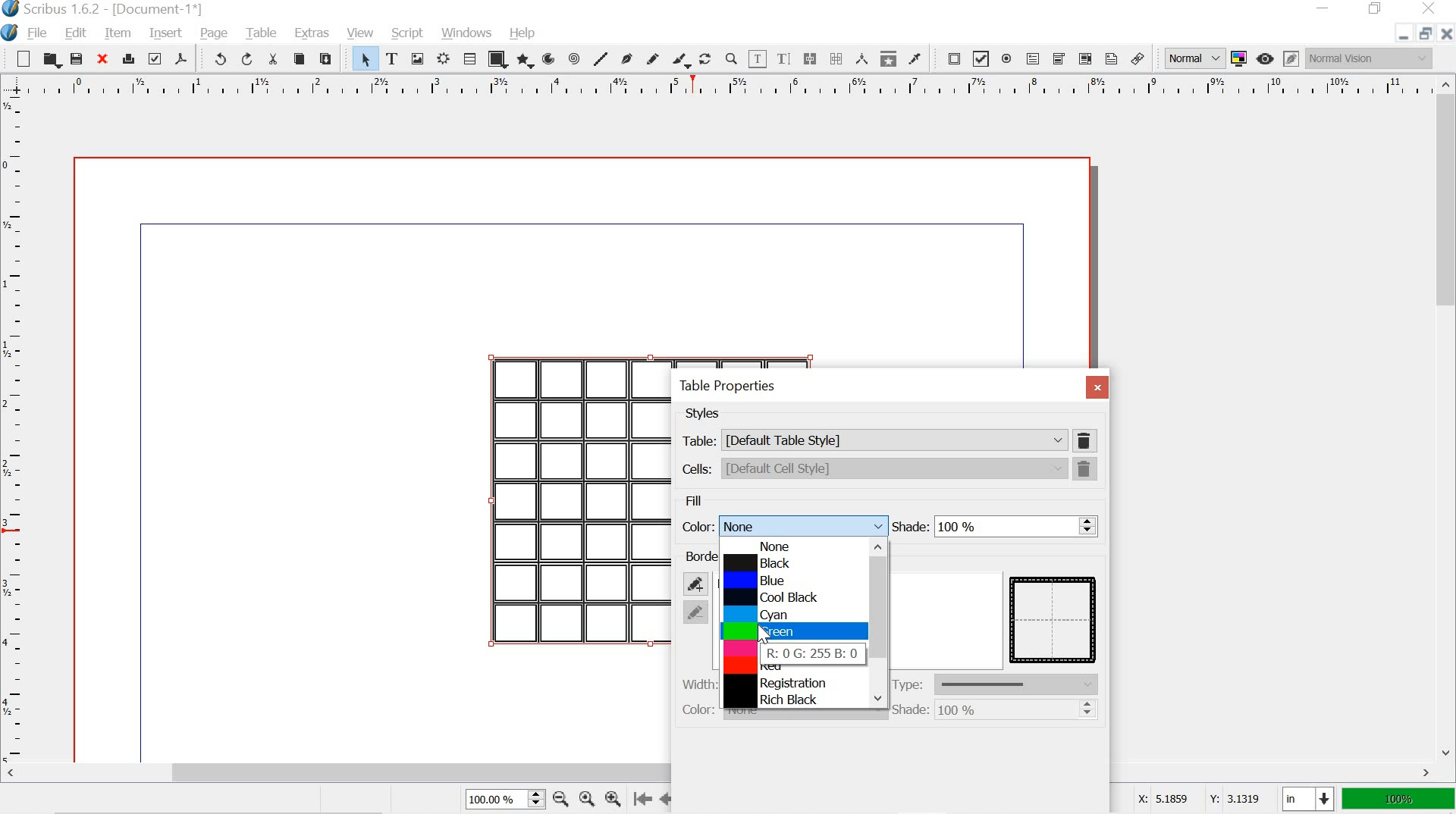 This screenshot has width=1456, height=814. What do you see at coordinates (781, 693) in the screenshot?
I see `Registration Rich Black` at bounding box center [781, 693].